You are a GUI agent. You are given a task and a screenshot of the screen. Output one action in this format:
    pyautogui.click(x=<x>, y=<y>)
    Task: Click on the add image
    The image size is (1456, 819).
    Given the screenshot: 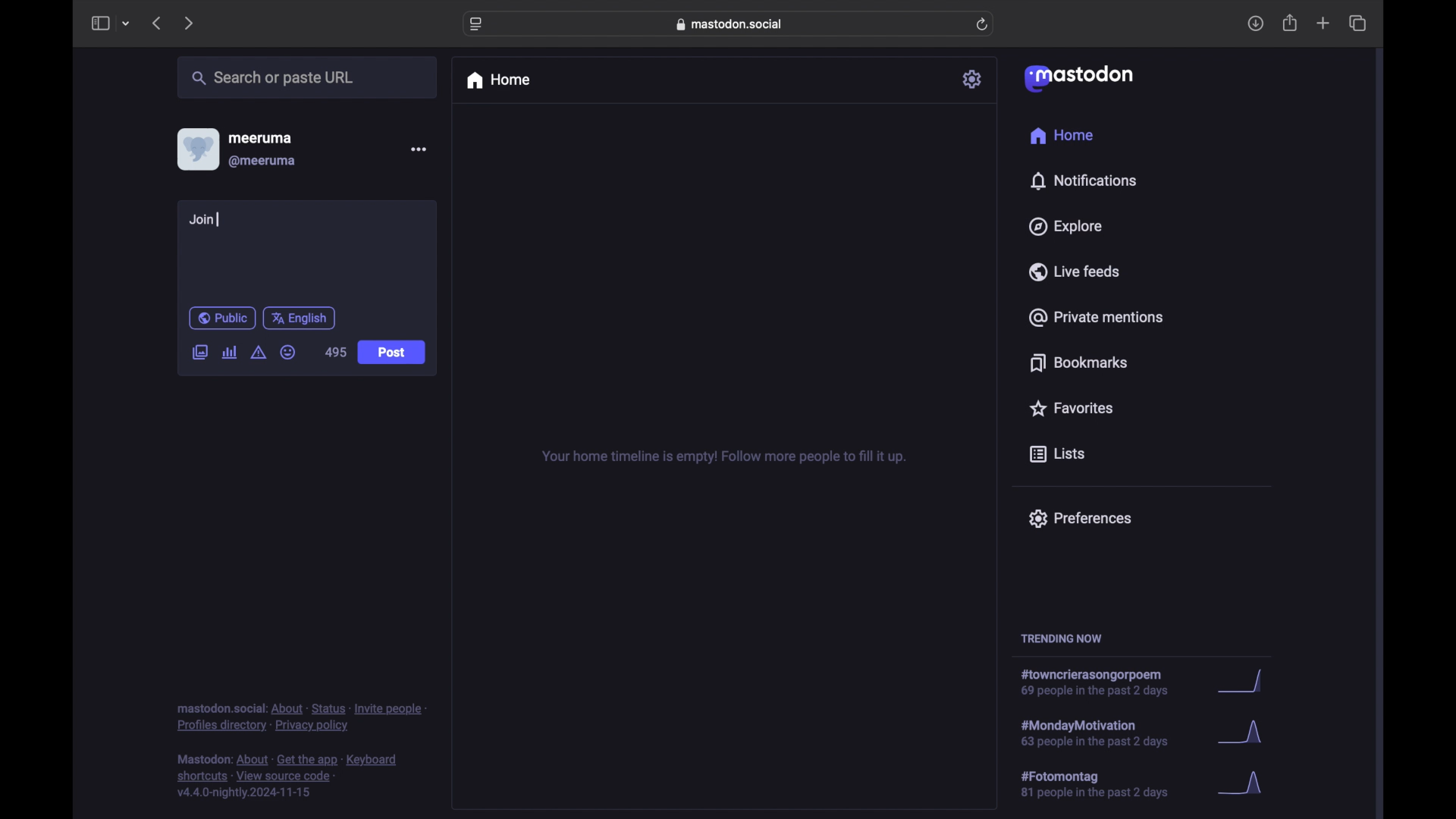 What is the action you would take?
    pyautogui.click(x=199, y=353)
    